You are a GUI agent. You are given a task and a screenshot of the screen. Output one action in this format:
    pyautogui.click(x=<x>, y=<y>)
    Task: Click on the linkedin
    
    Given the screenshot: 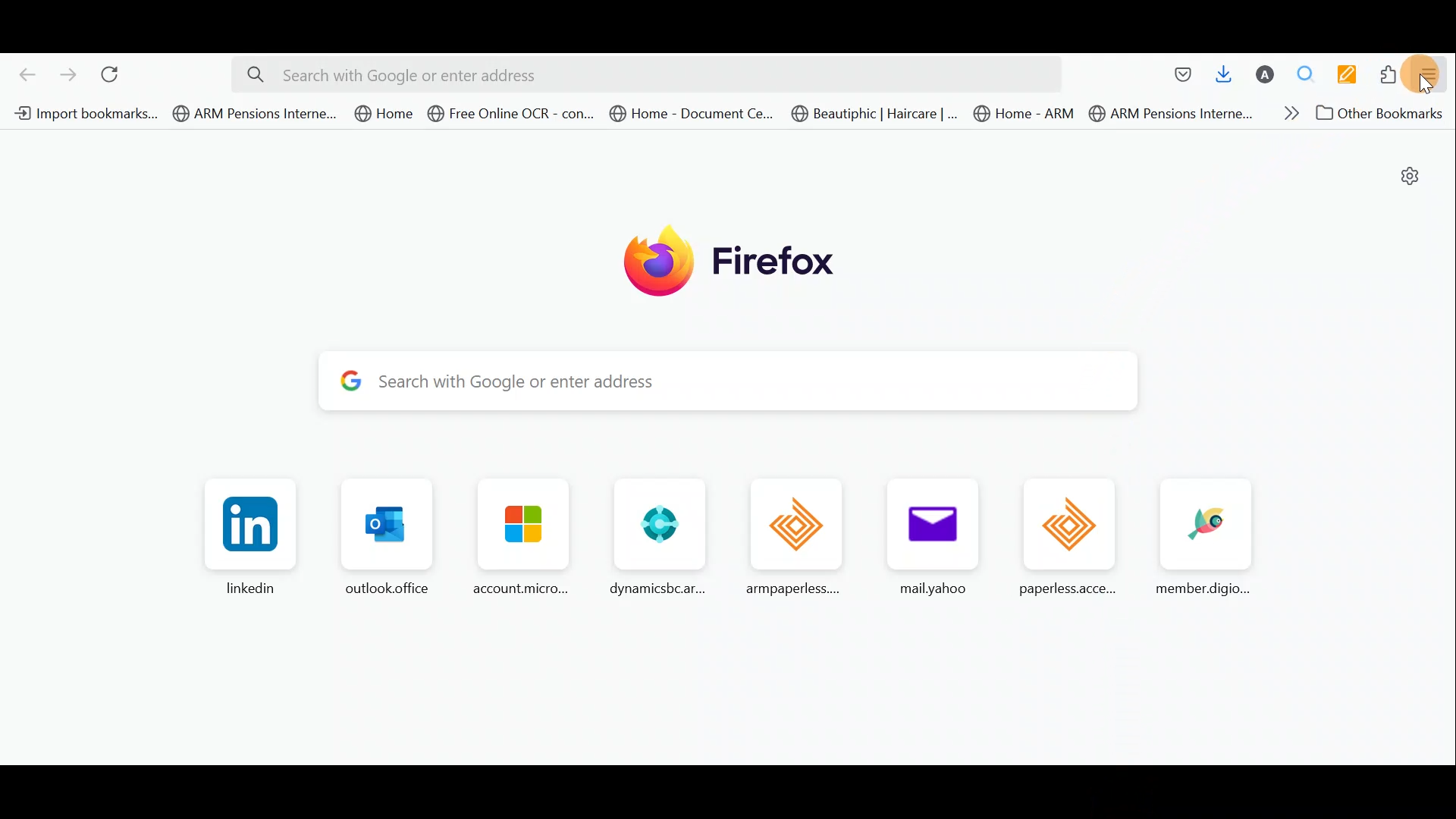 What is the action you would take?
    pyautogui.click(x=250, y=538)
    